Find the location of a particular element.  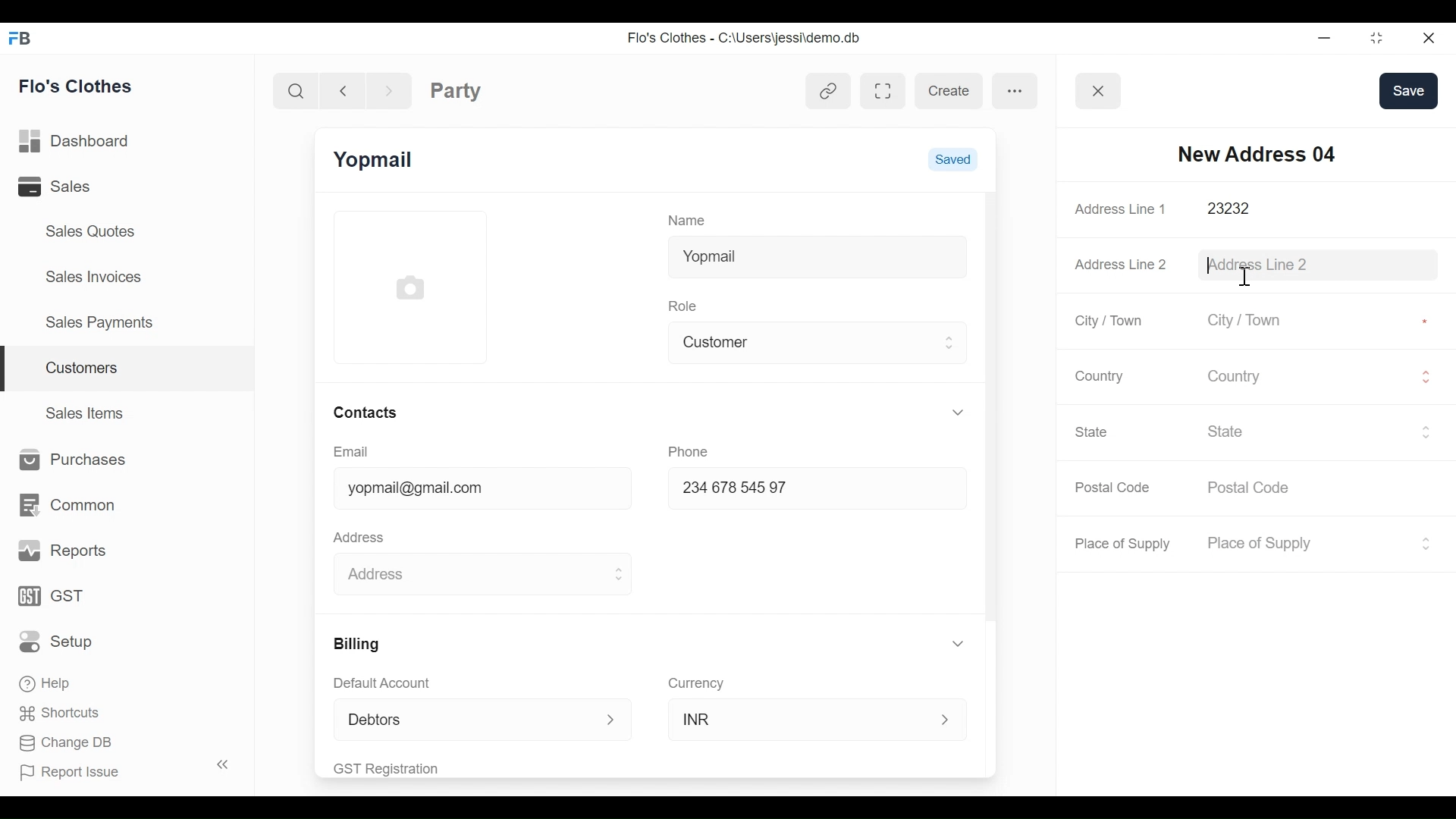

Expand is located at coordinates (1426, 431).